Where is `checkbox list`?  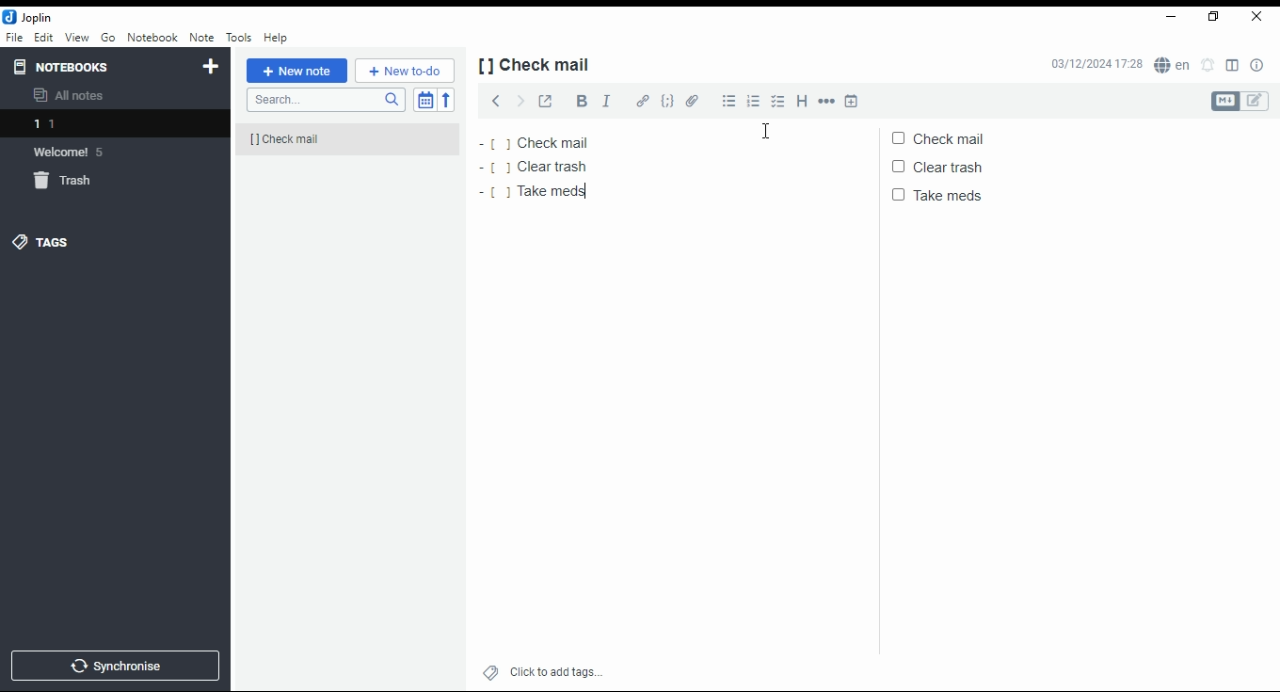
checkbox list is located at coordinates (776, 100).